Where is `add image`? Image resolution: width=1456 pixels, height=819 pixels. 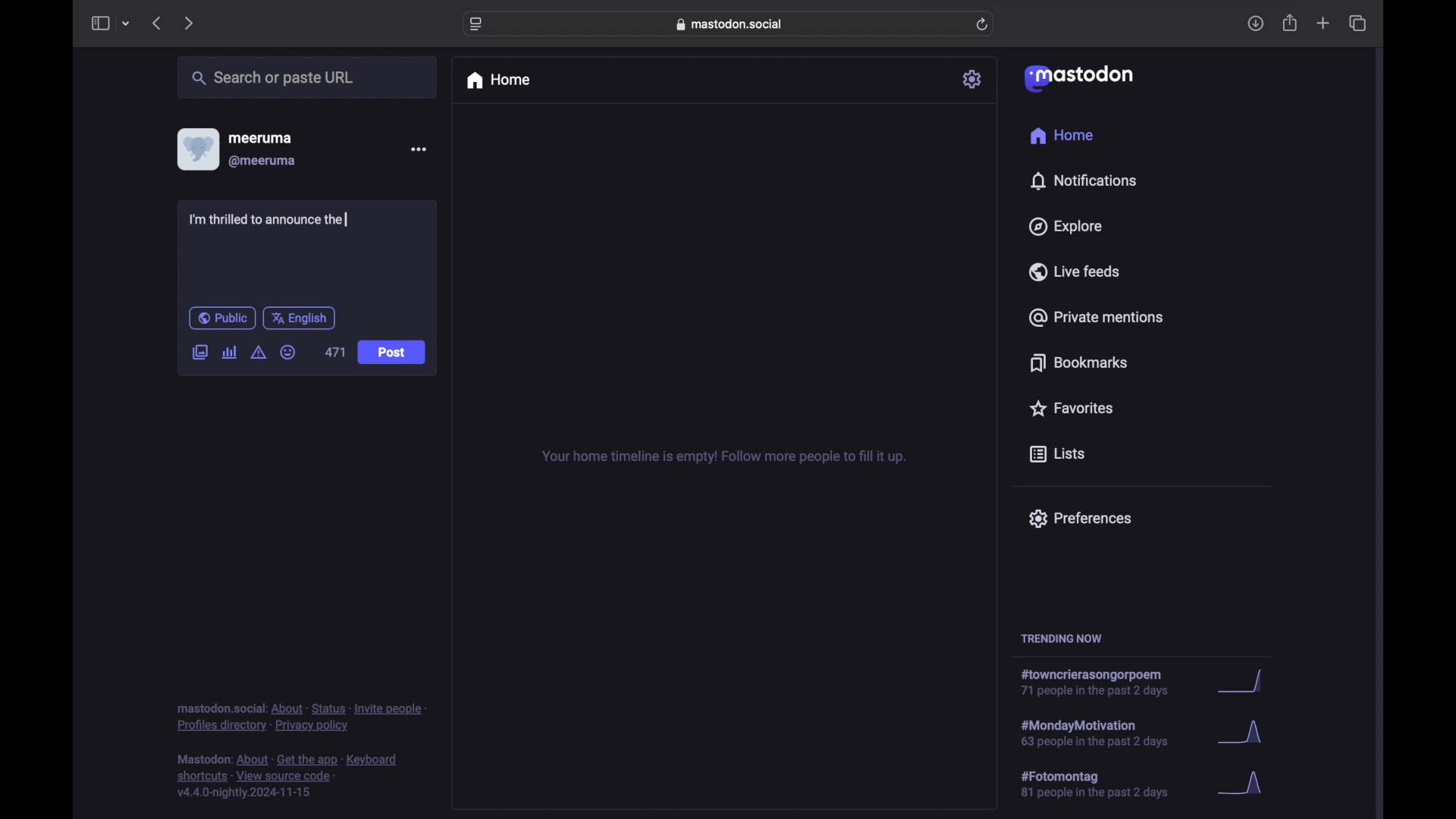 add image is located at coordinates (199, 353).